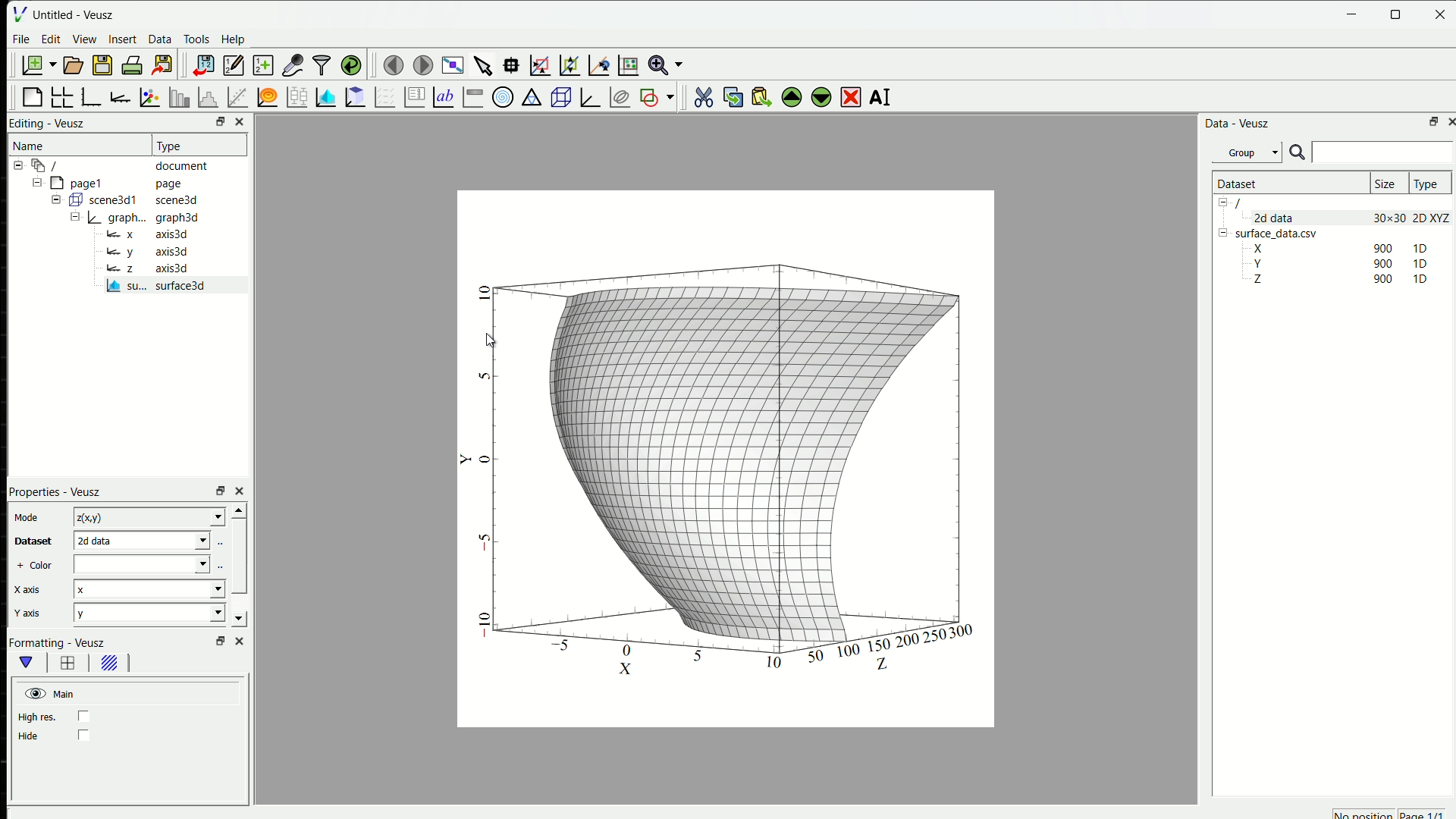  What do you see at coordinates (35, 566) in the screenshot?
I see `+ Color` at bounding box center [35, 566].